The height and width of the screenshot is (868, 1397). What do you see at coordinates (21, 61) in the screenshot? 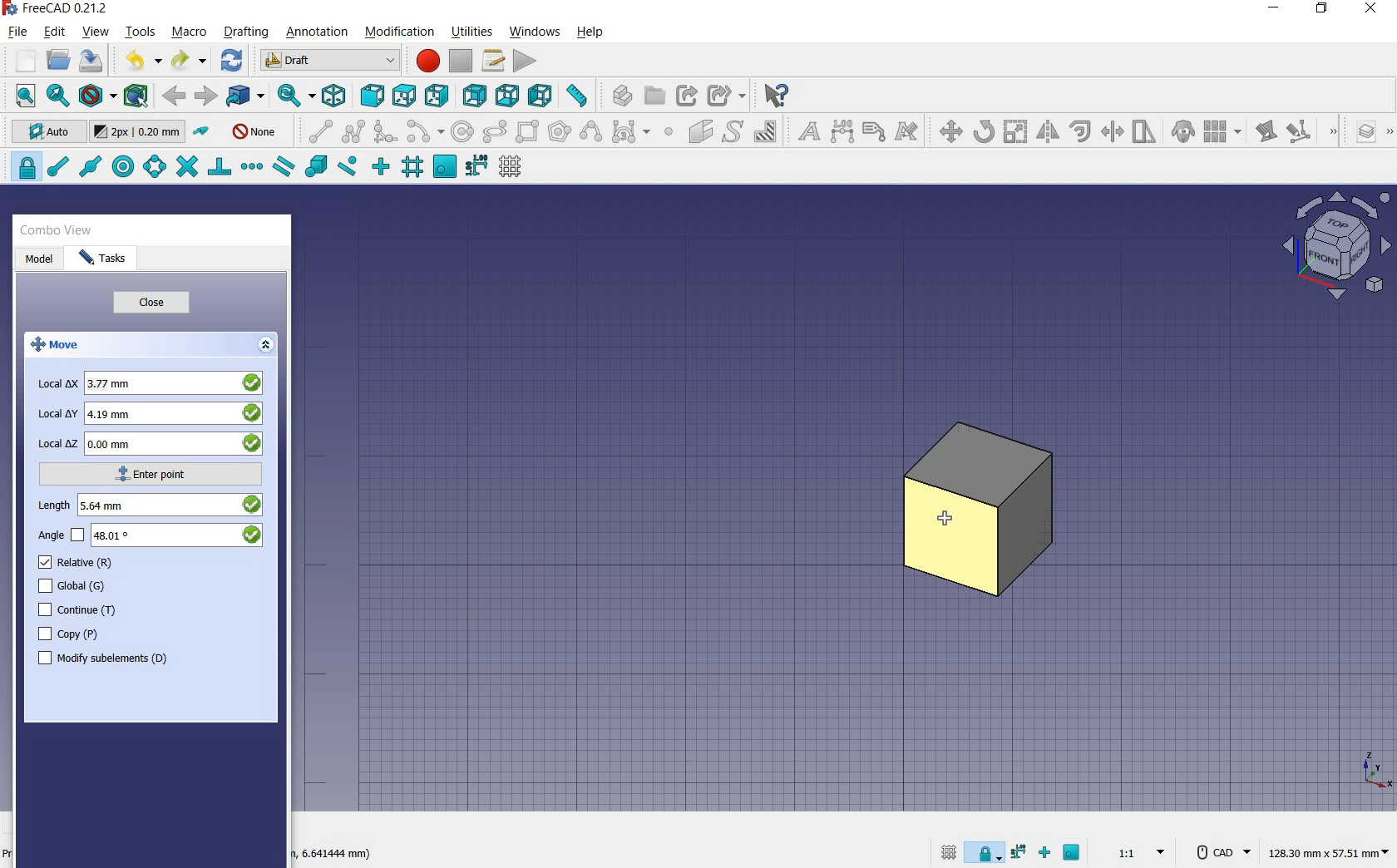
I see `new` at bounding box center [21, 61].